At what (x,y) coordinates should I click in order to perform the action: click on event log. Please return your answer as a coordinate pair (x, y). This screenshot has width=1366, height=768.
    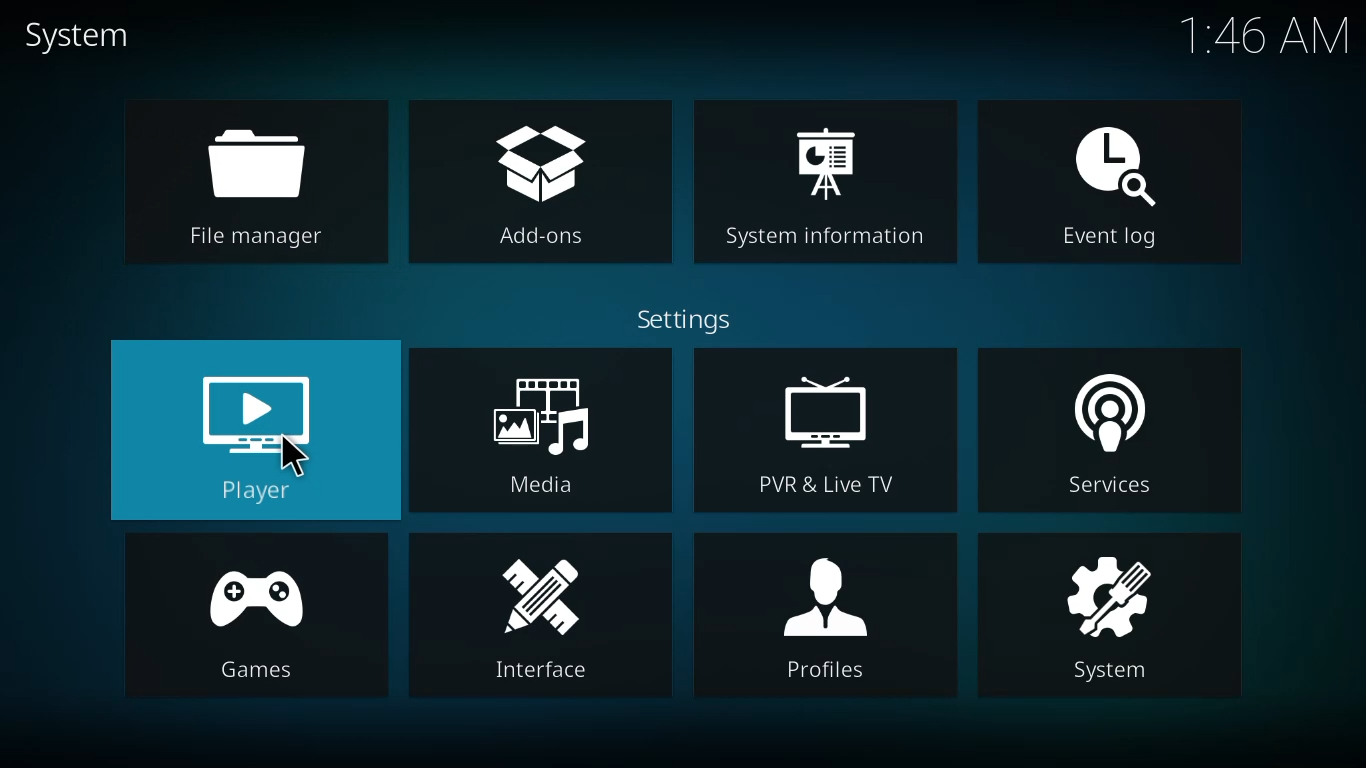
    Looking at the image, I should click on (1114, 180).